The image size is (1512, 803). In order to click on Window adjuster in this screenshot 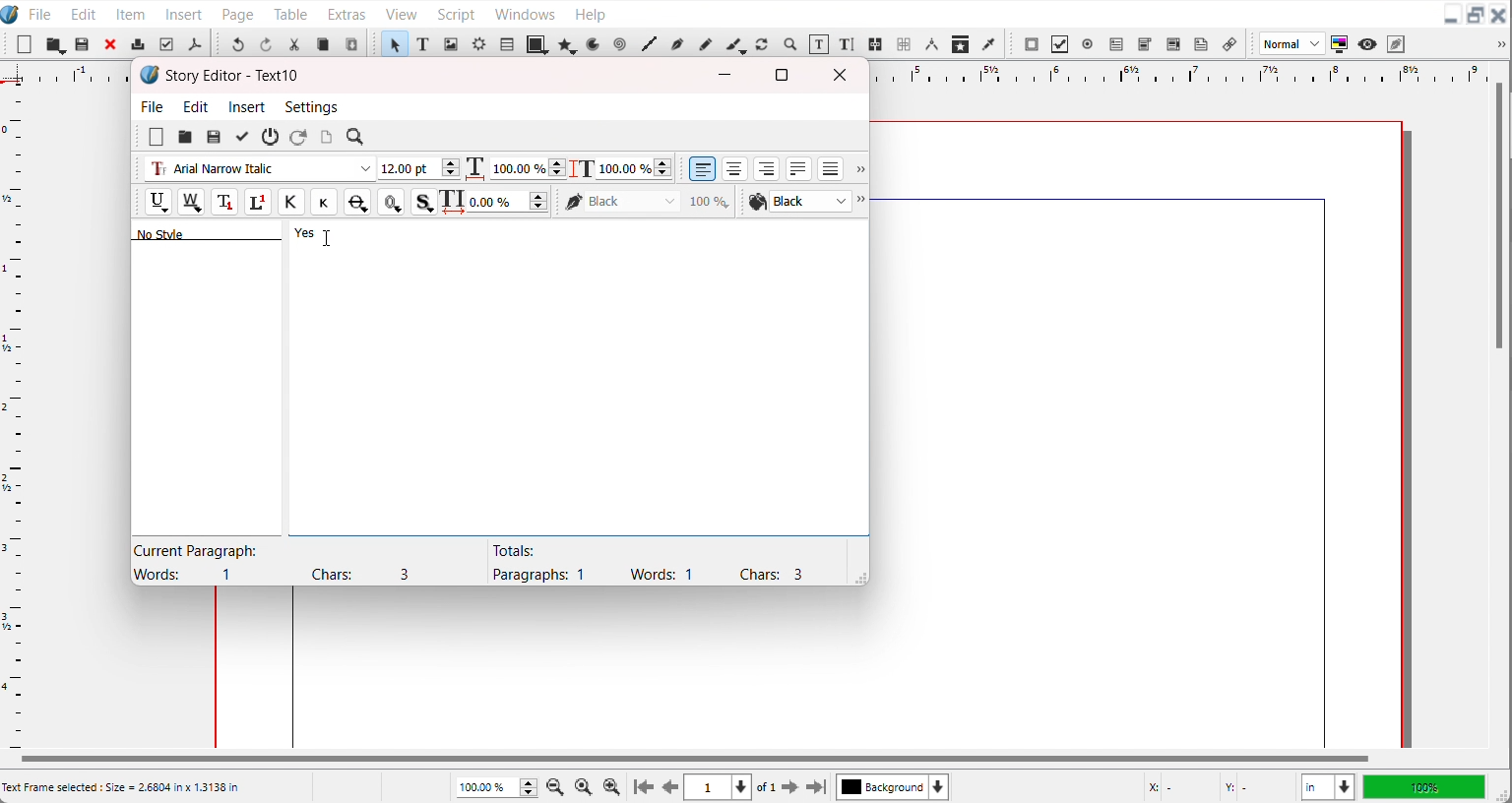, I will do `click(857, 577)`.